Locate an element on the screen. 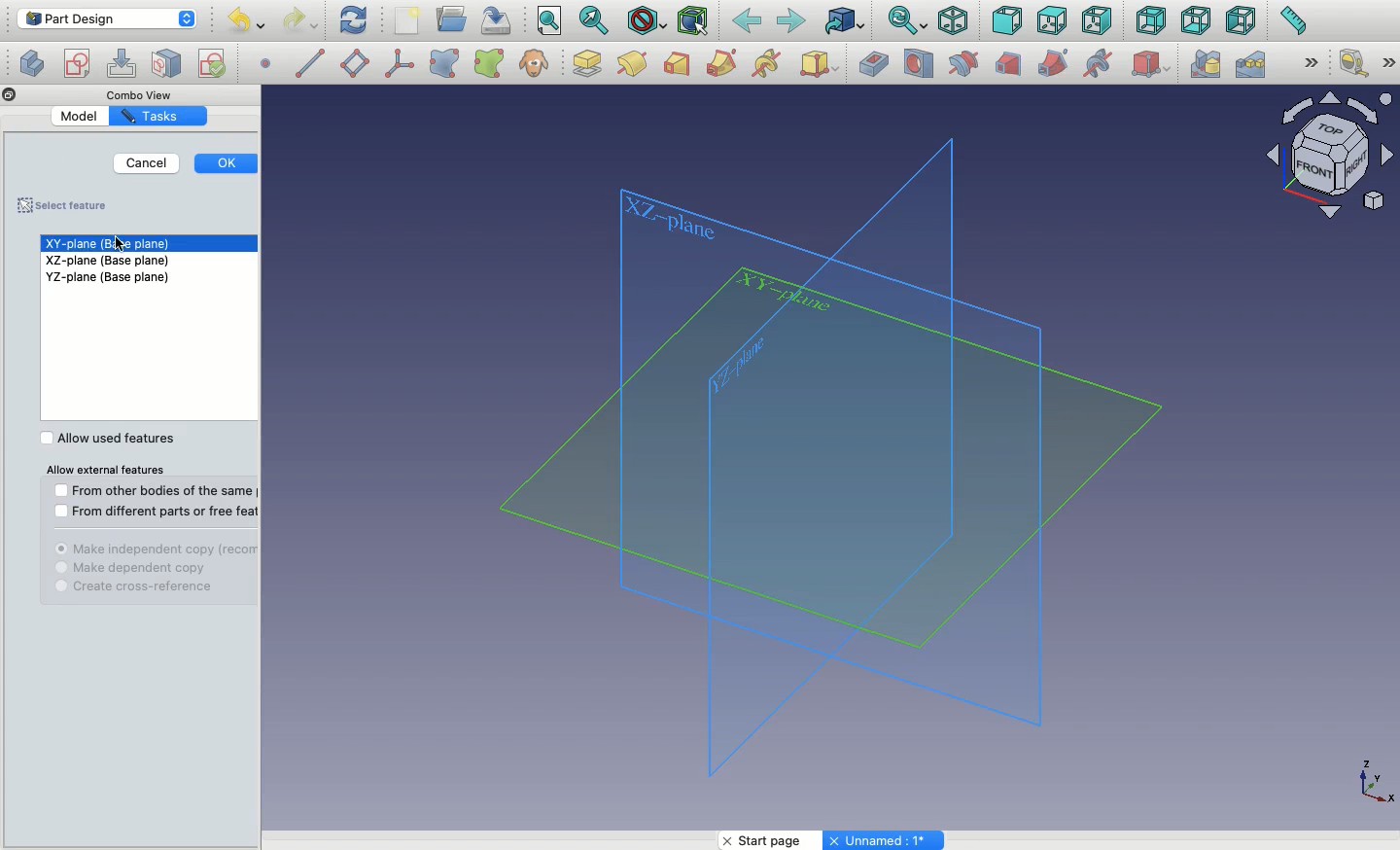  Saved is located at coordinates (67, 205).